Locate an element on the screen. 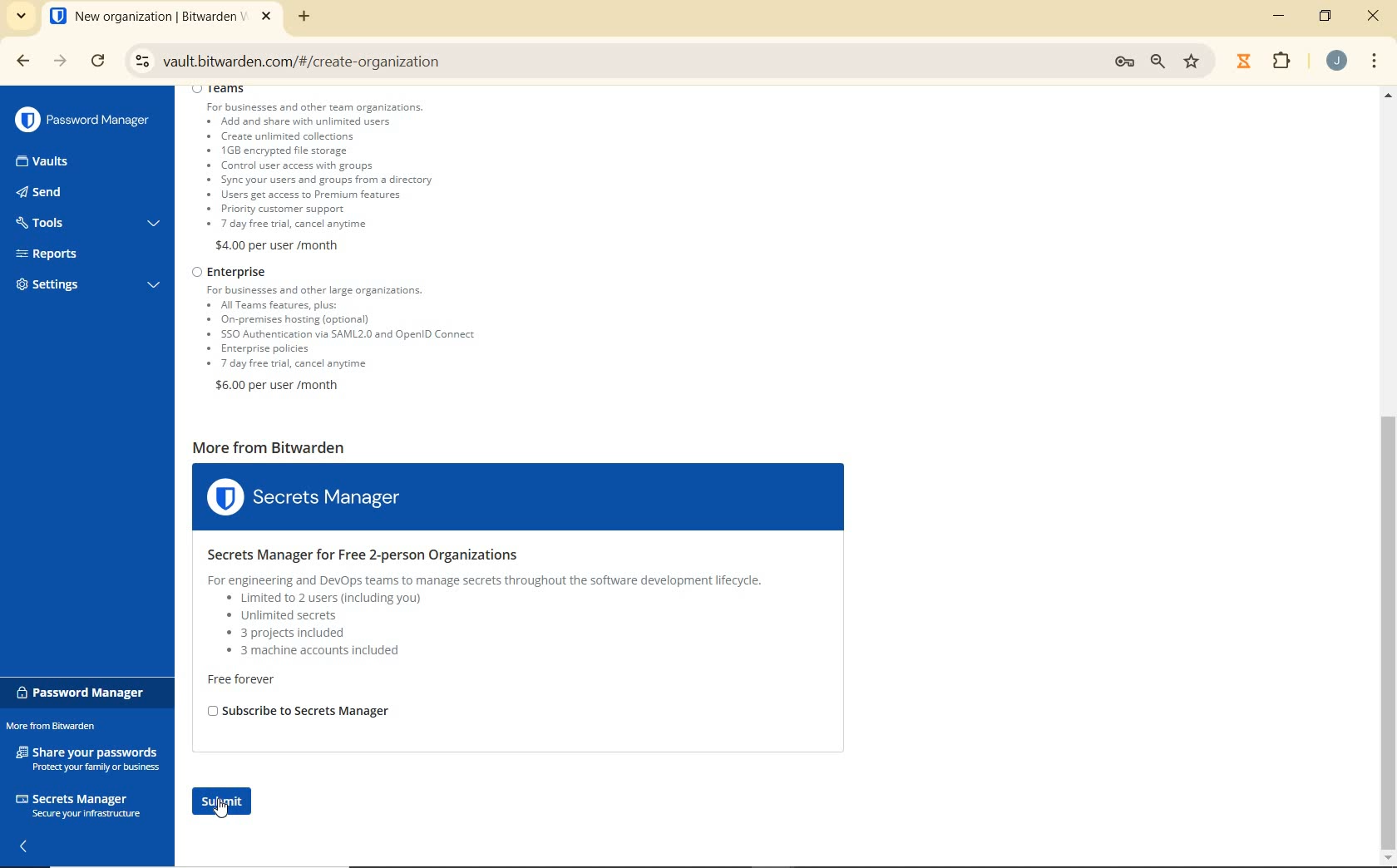 This screenshot has width=1397, height=868. secrets manager is located at coordinates (78, 803).